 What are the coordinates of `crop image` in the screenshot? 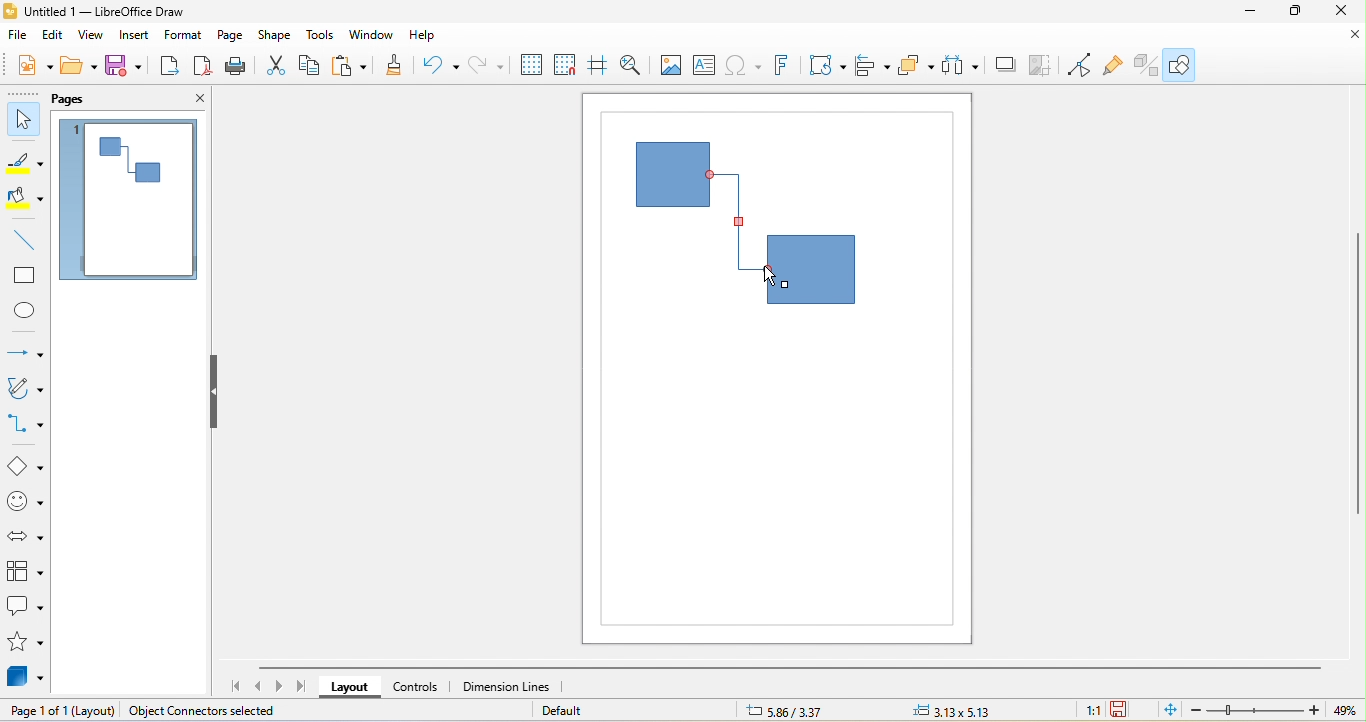 It's located at (1044, 65).